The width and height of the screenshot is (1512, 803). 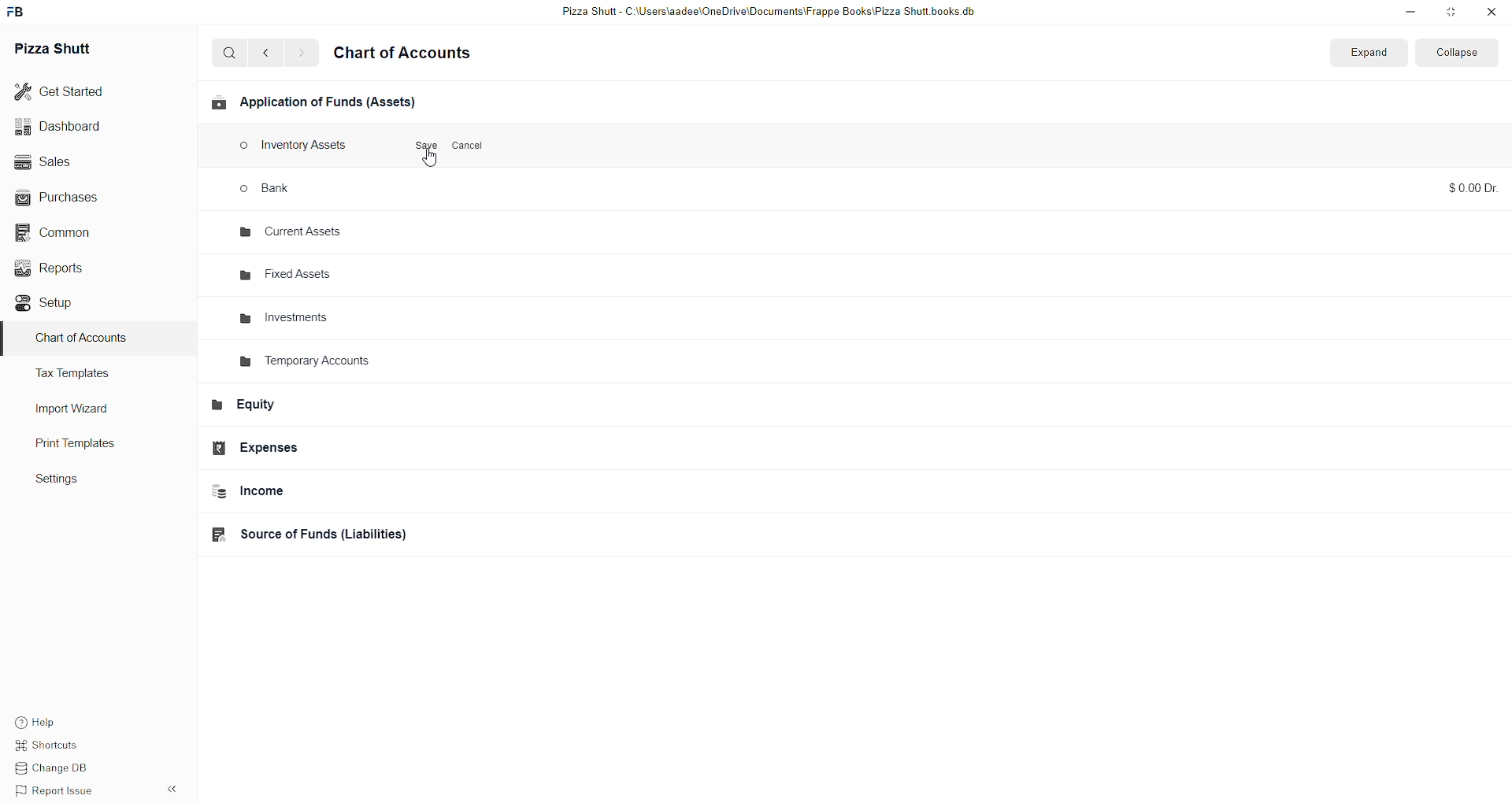 What do you see at coordinates (427, 145) in the screenshot?
I see `Save ` at bounding box center [427, 145].